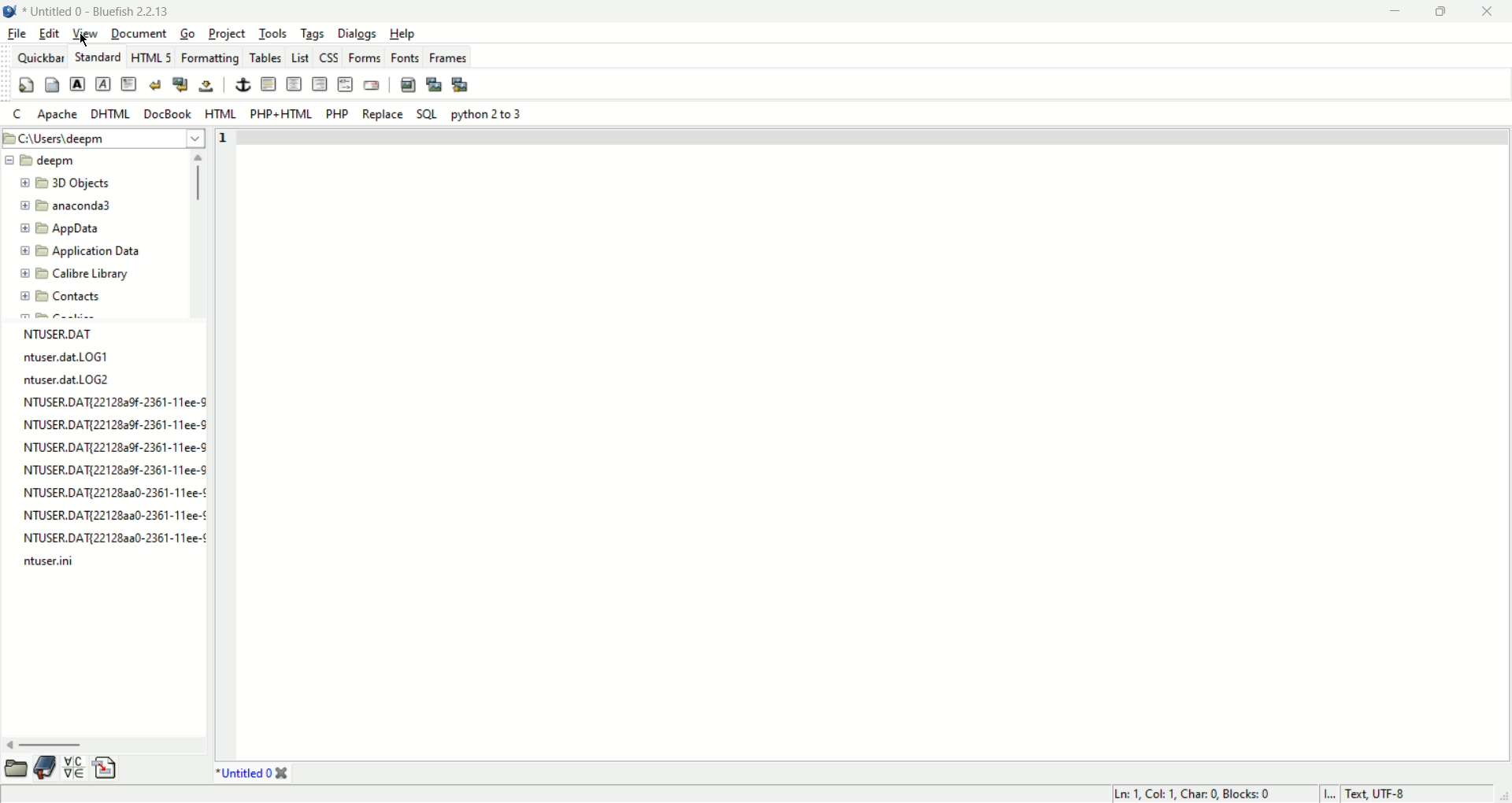 Image resolution: width=1512 pixels, height=803 pixels. I want to click on paragraph, so click(128, 83).